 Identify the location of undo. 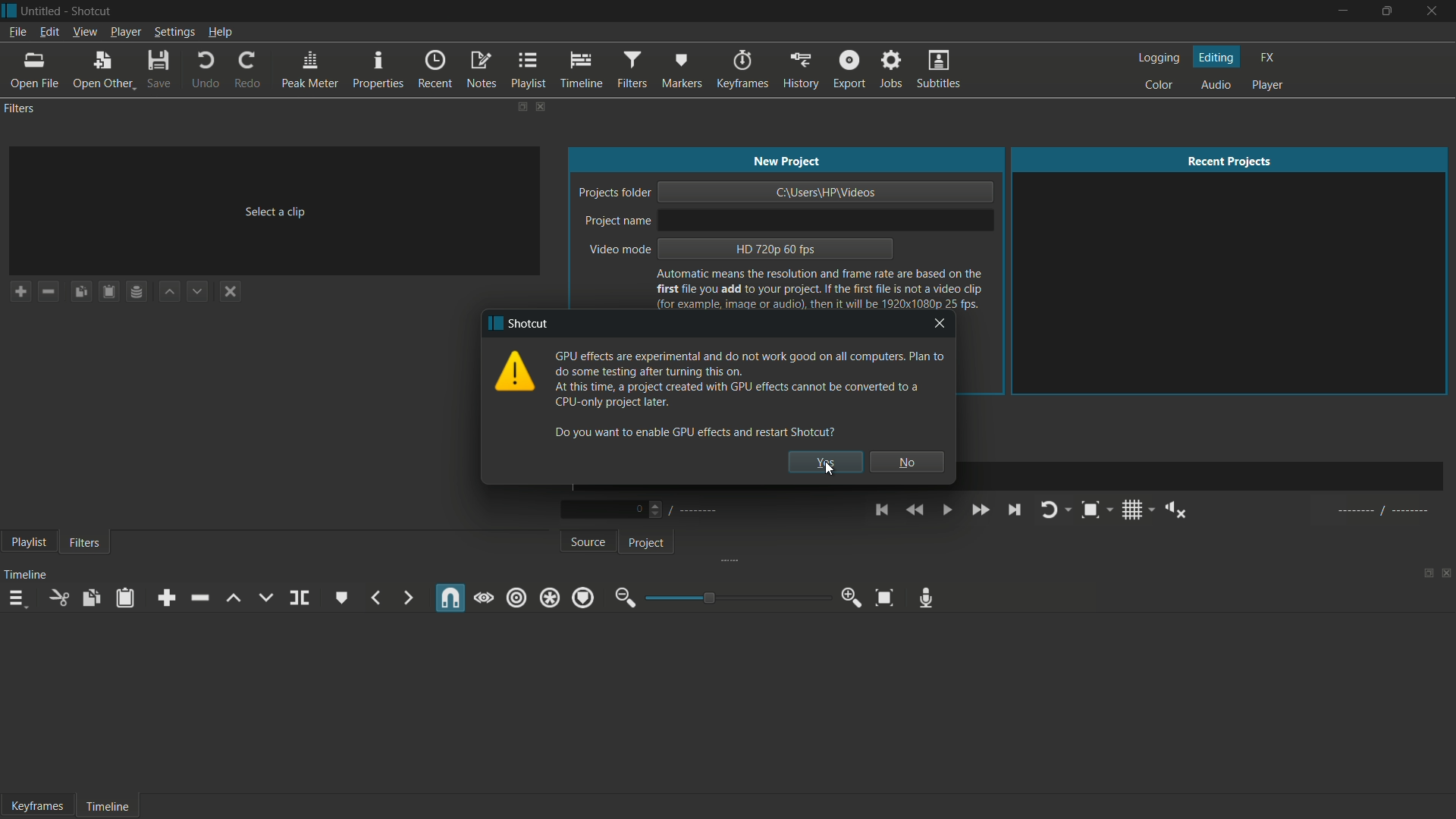
(208, 71).